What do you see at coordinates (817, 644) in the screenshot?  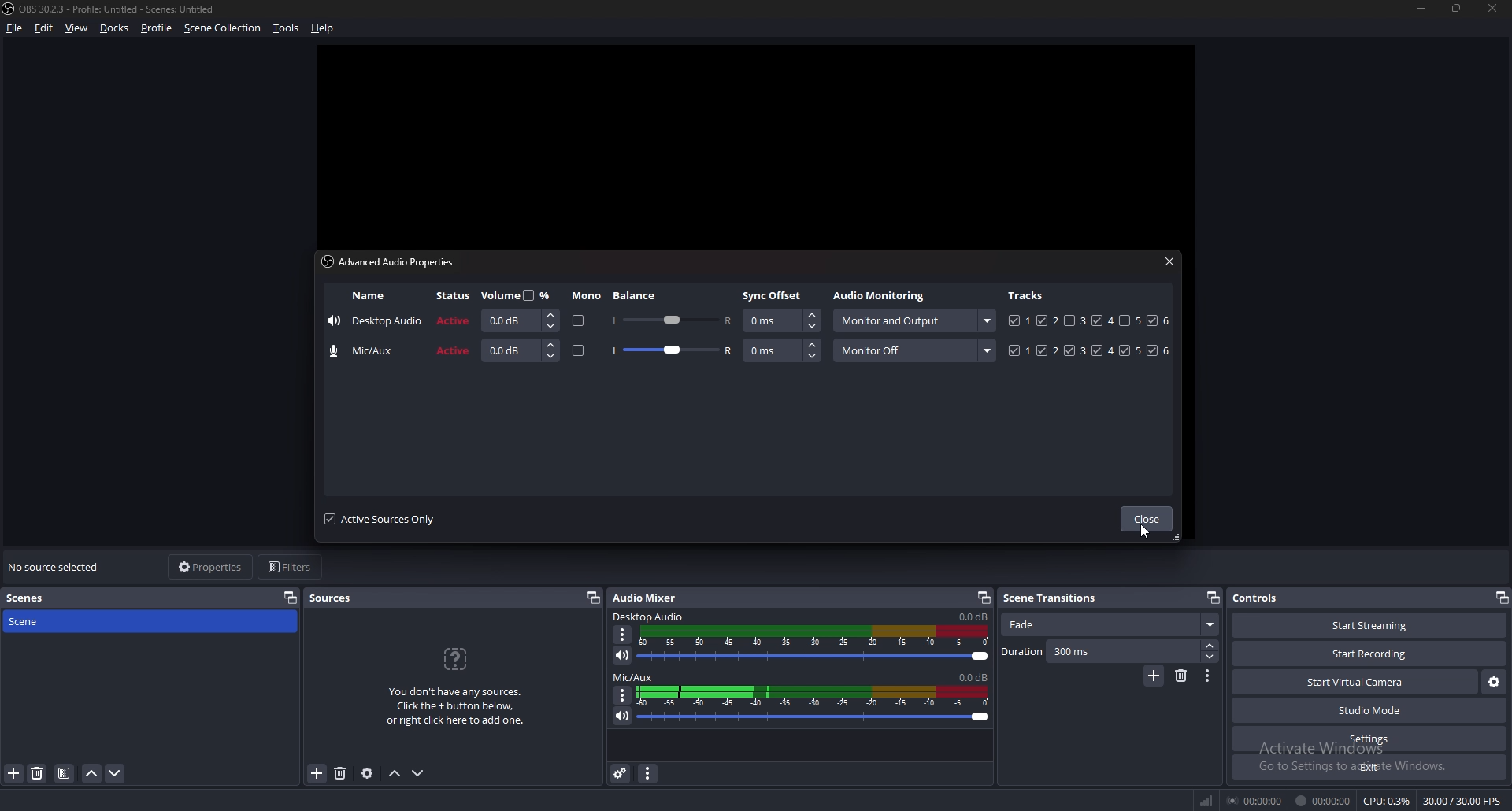 I see `desktop audio soundbar` at bounding box center [817, 644].